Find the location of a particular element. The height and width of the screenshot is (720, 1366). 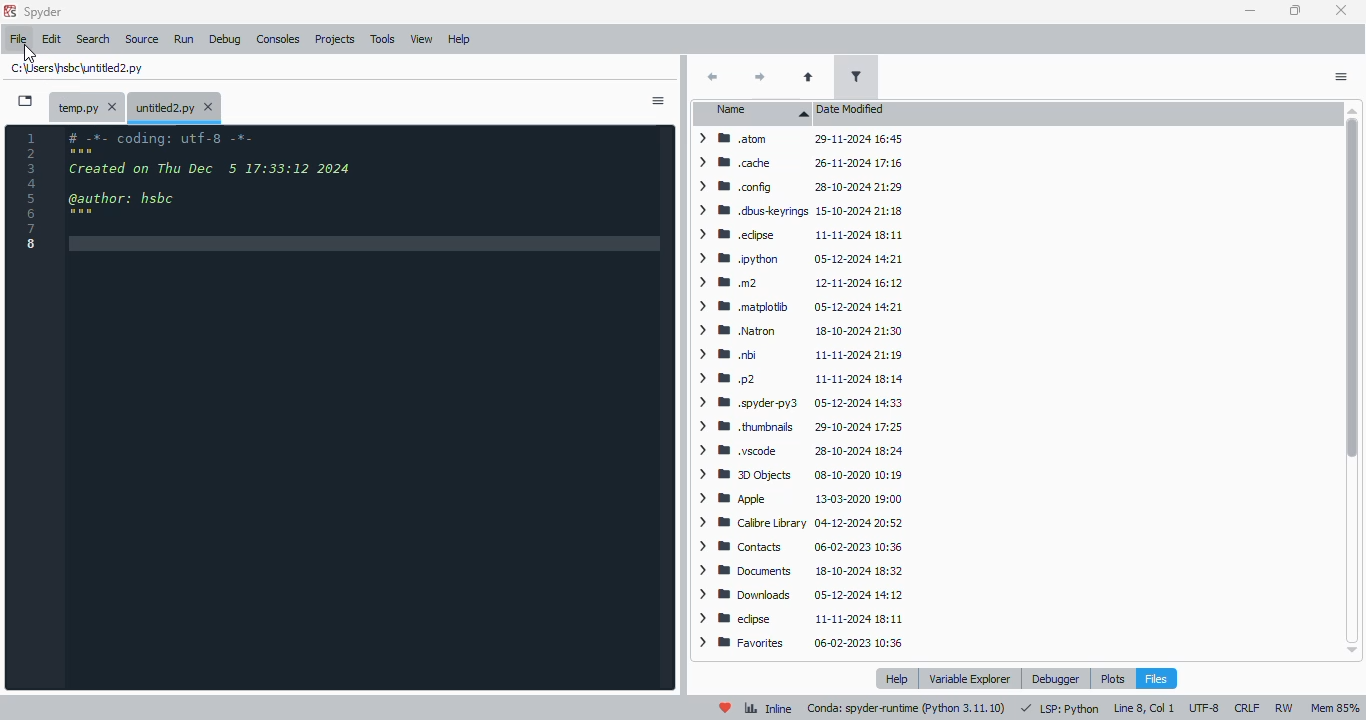

projects is located at coordinates (334, 40).